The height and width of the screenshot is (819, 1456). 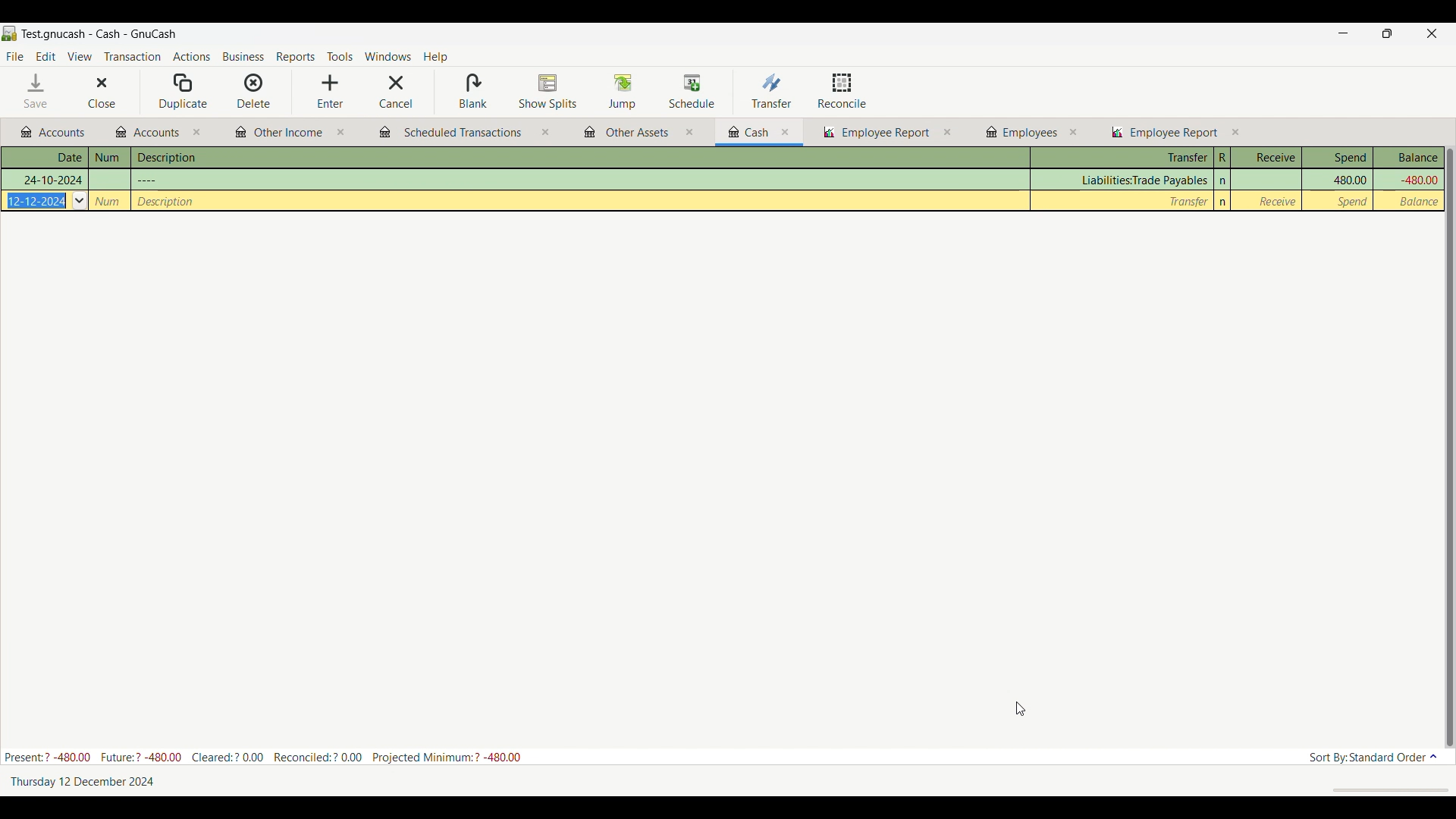 I want to click on Balance column, so click(x=1417, y=180).